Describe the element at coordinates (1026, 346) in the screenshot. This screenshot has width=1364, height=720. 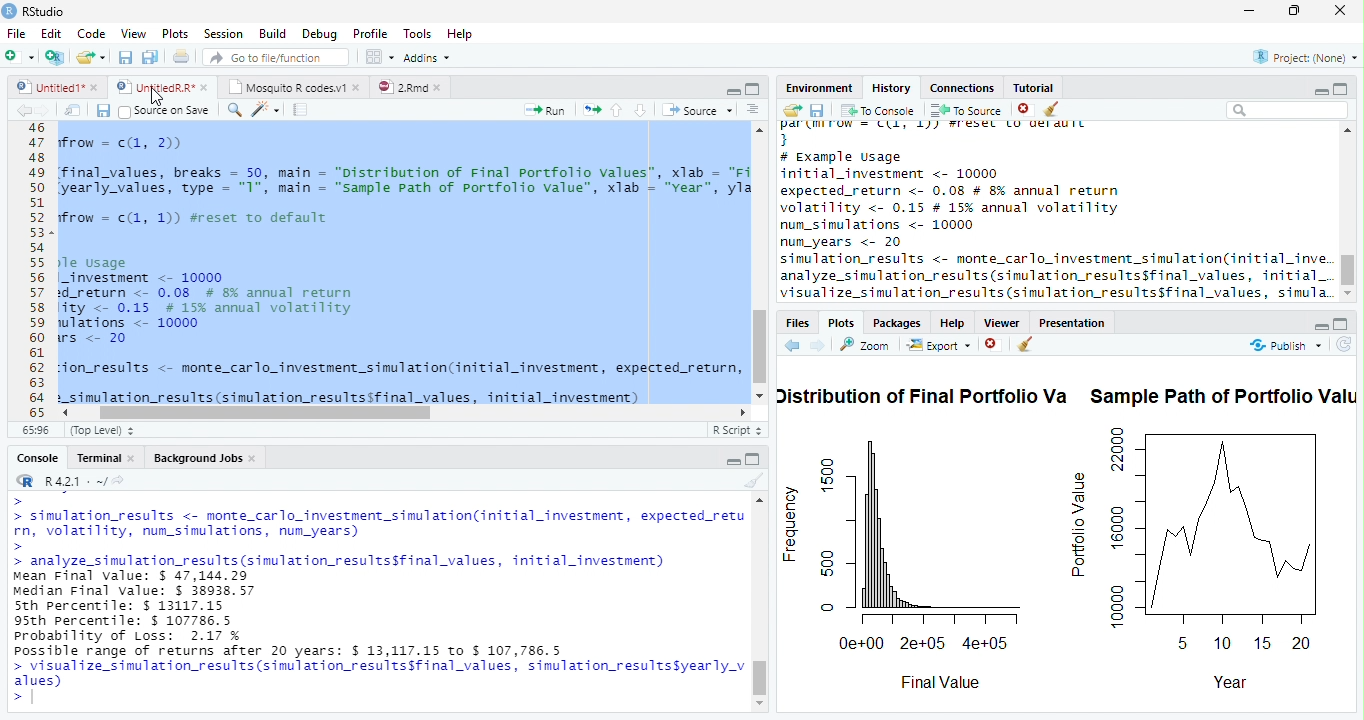
I see `Clear` at that location.